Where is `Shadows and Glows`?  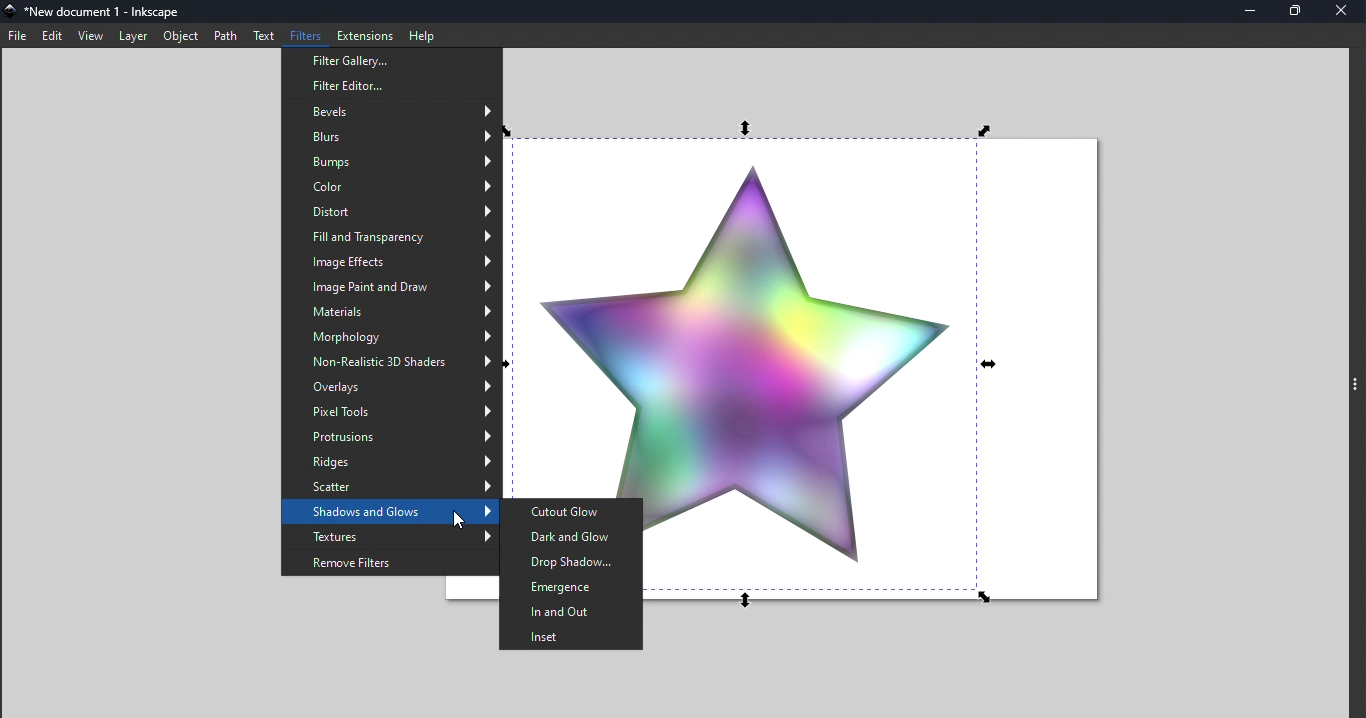
Shadows and Glows is located at coordinates (393, 512).